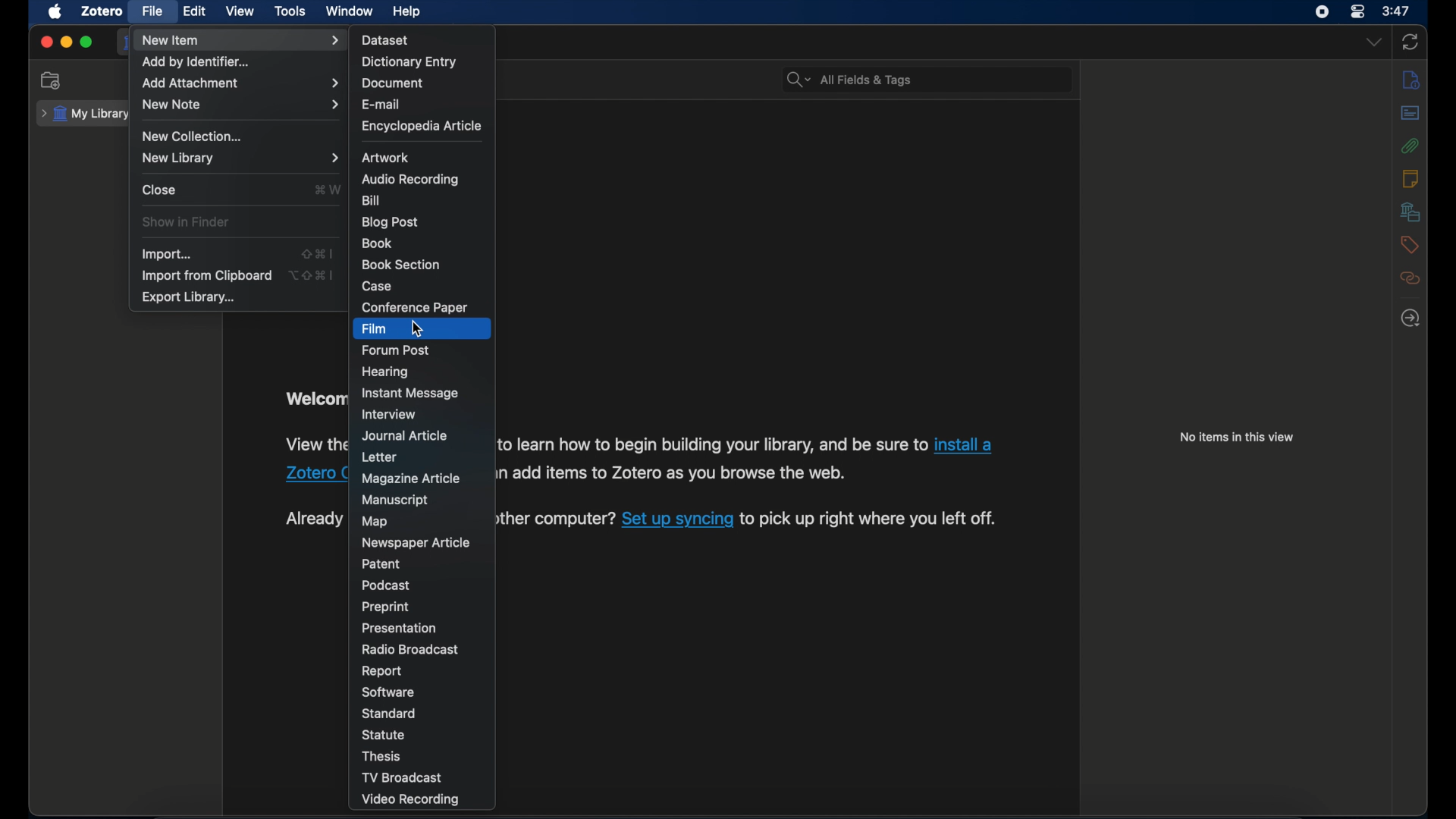  I want to click on add by identifier, so click(199, 61).